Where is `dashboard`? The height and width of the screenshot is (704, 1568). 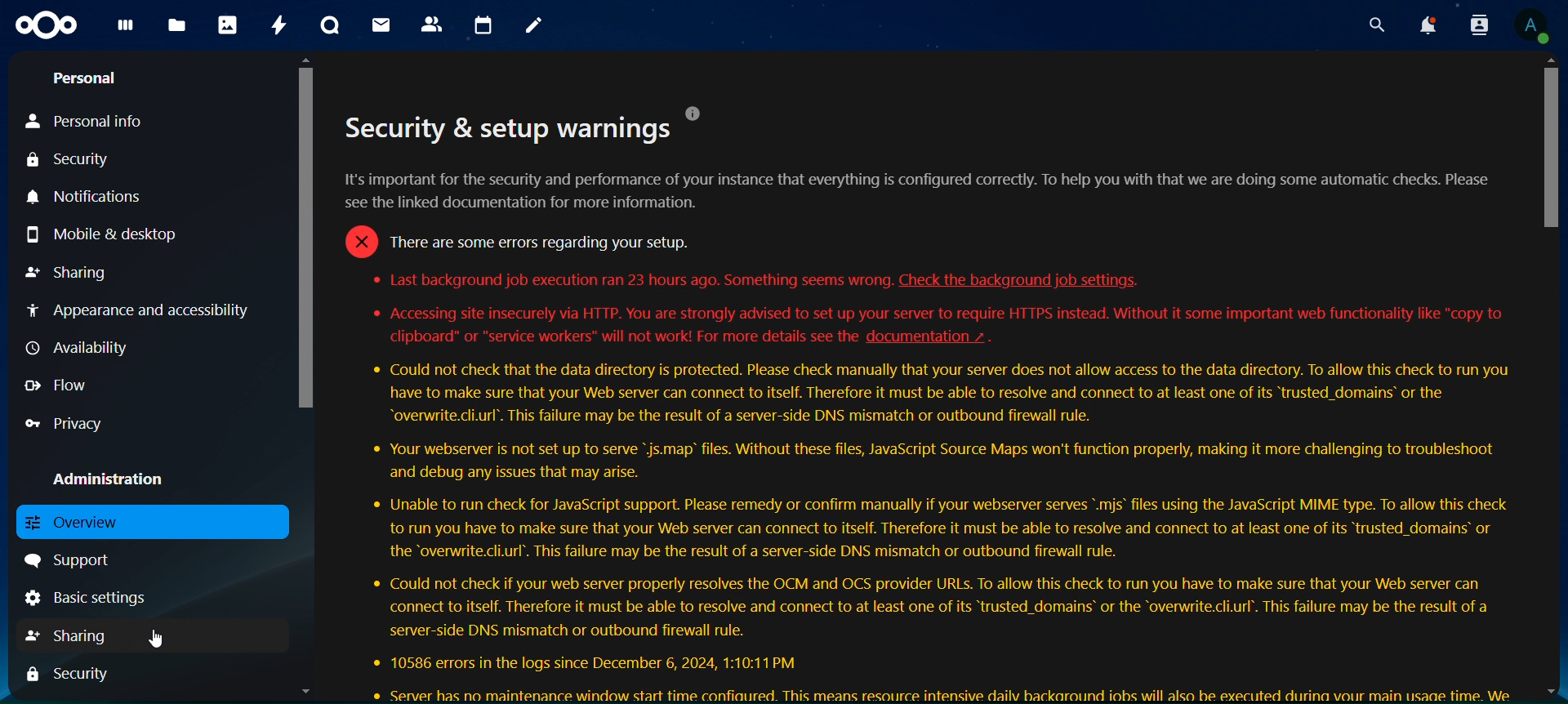
dashboard is located at coordinates (126, 29).